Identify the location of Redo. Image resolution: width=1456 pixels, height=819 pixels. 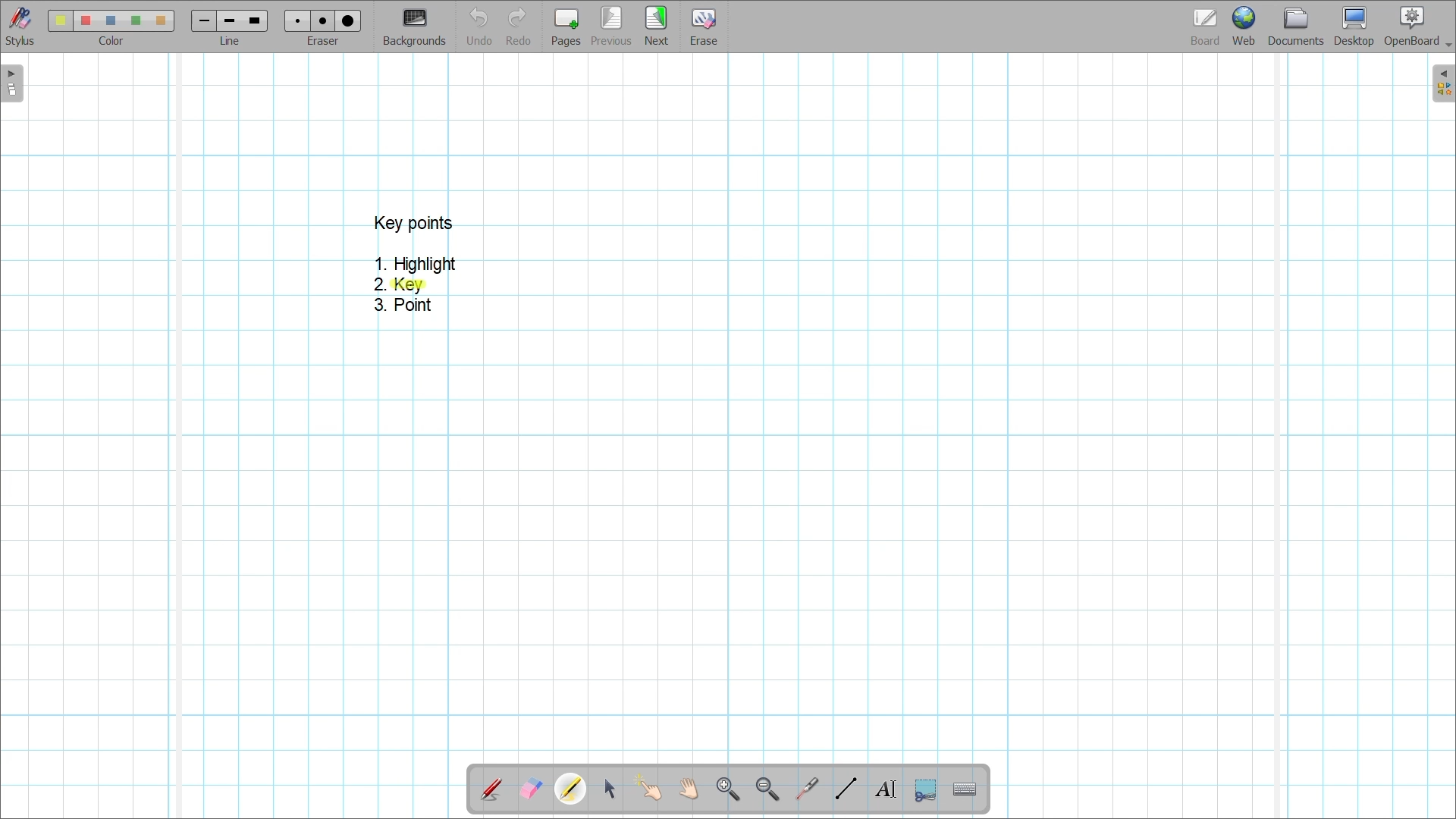
(519, 26).